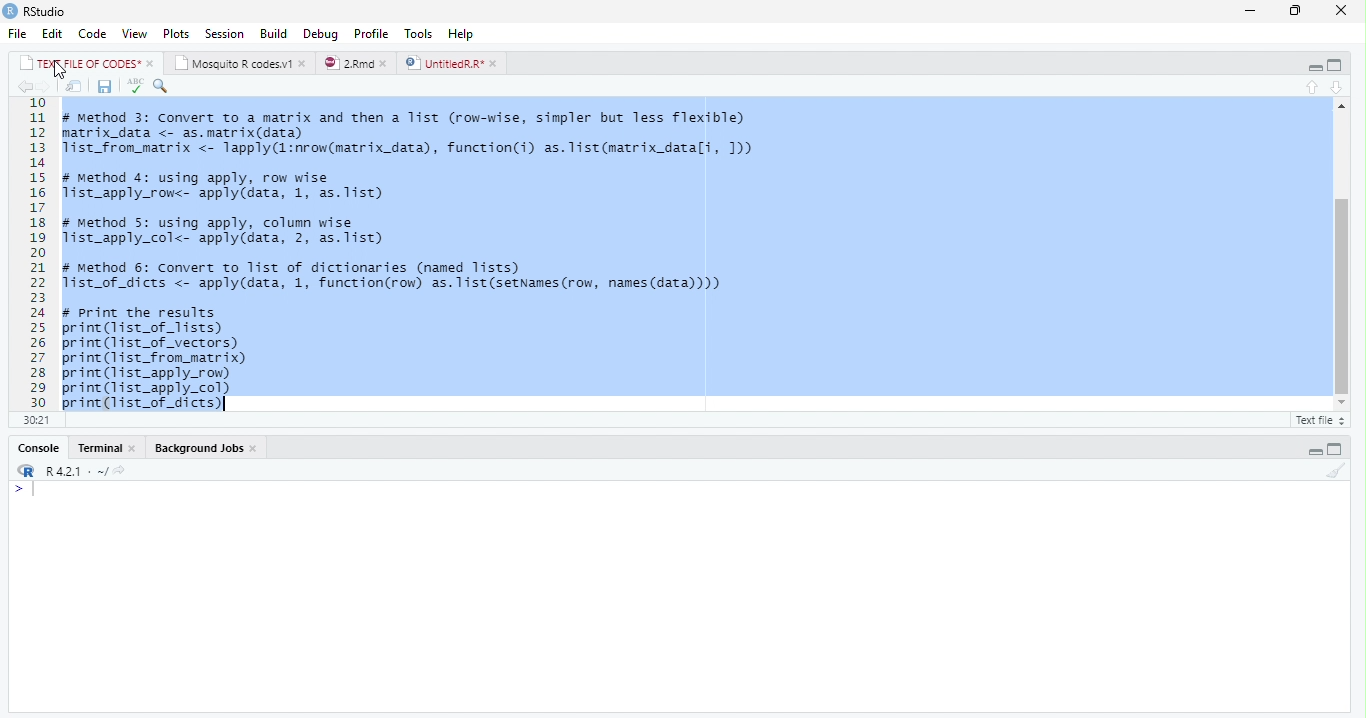 This screenshot has width=1366, height=718. What do you see at coordinates (135, 32) in the screenshot?
I see `View` at bounding box center [135, 32].